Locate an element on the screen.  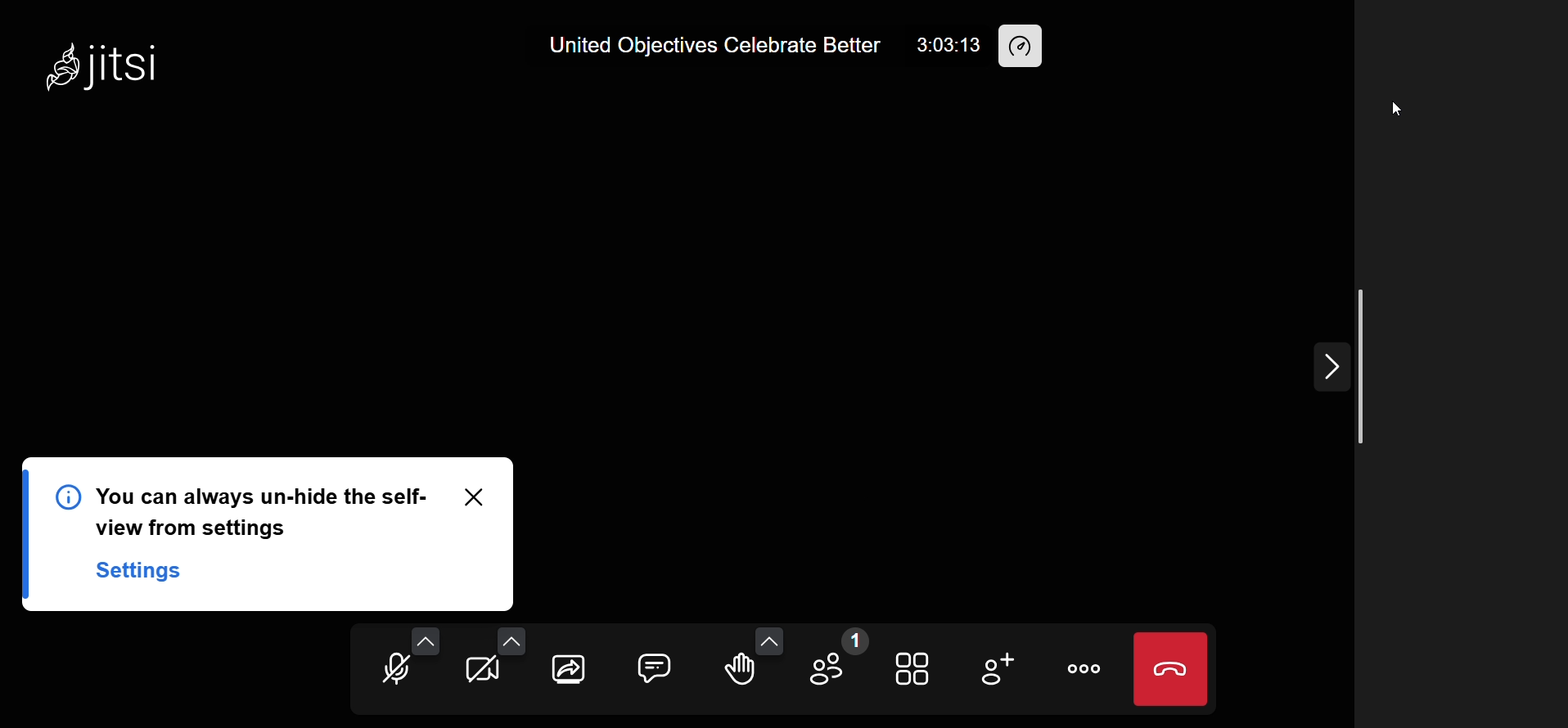
screen share is located at coordinates (570, 669).